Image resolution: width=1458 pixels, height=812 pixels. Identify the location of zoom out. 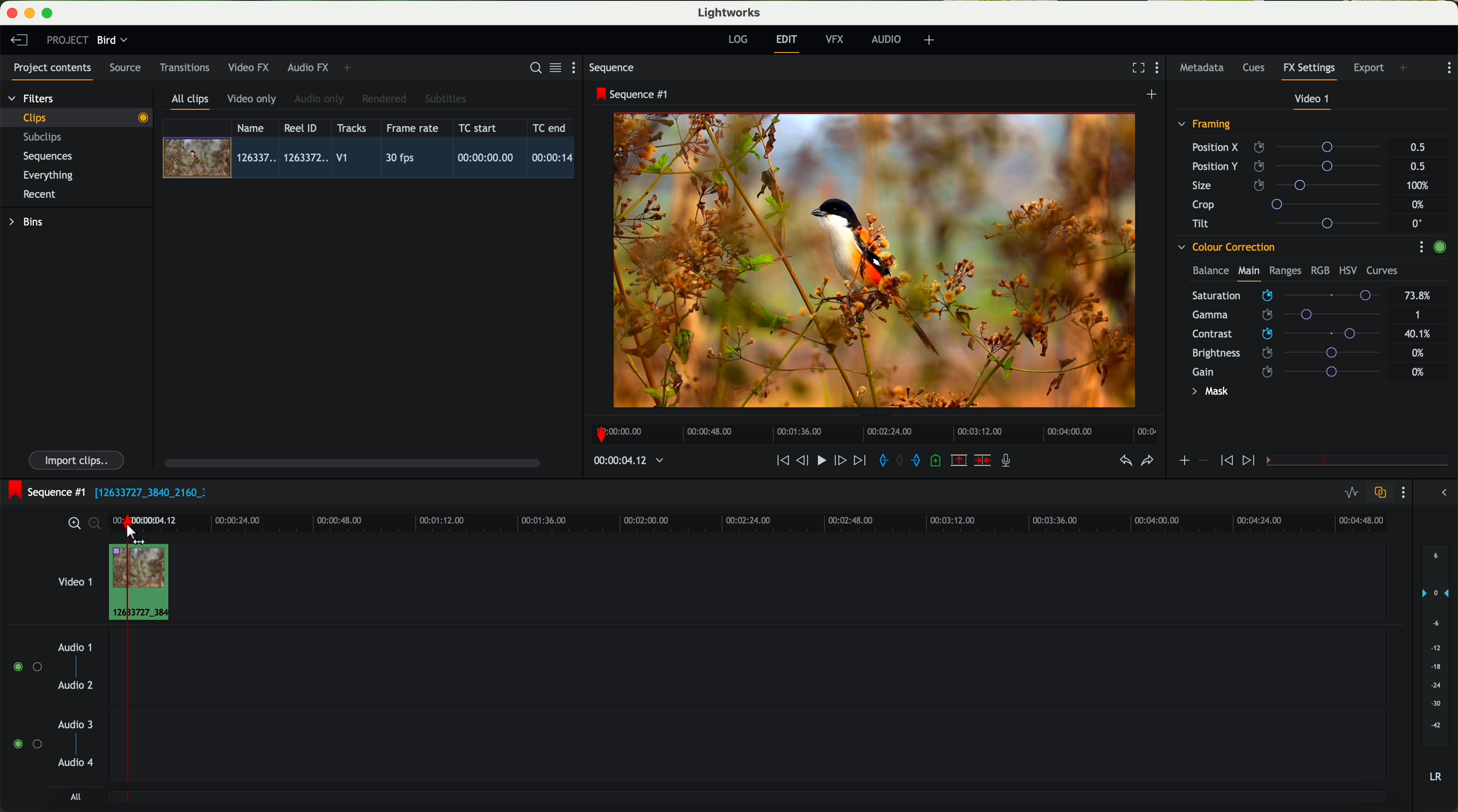
(96, 525).